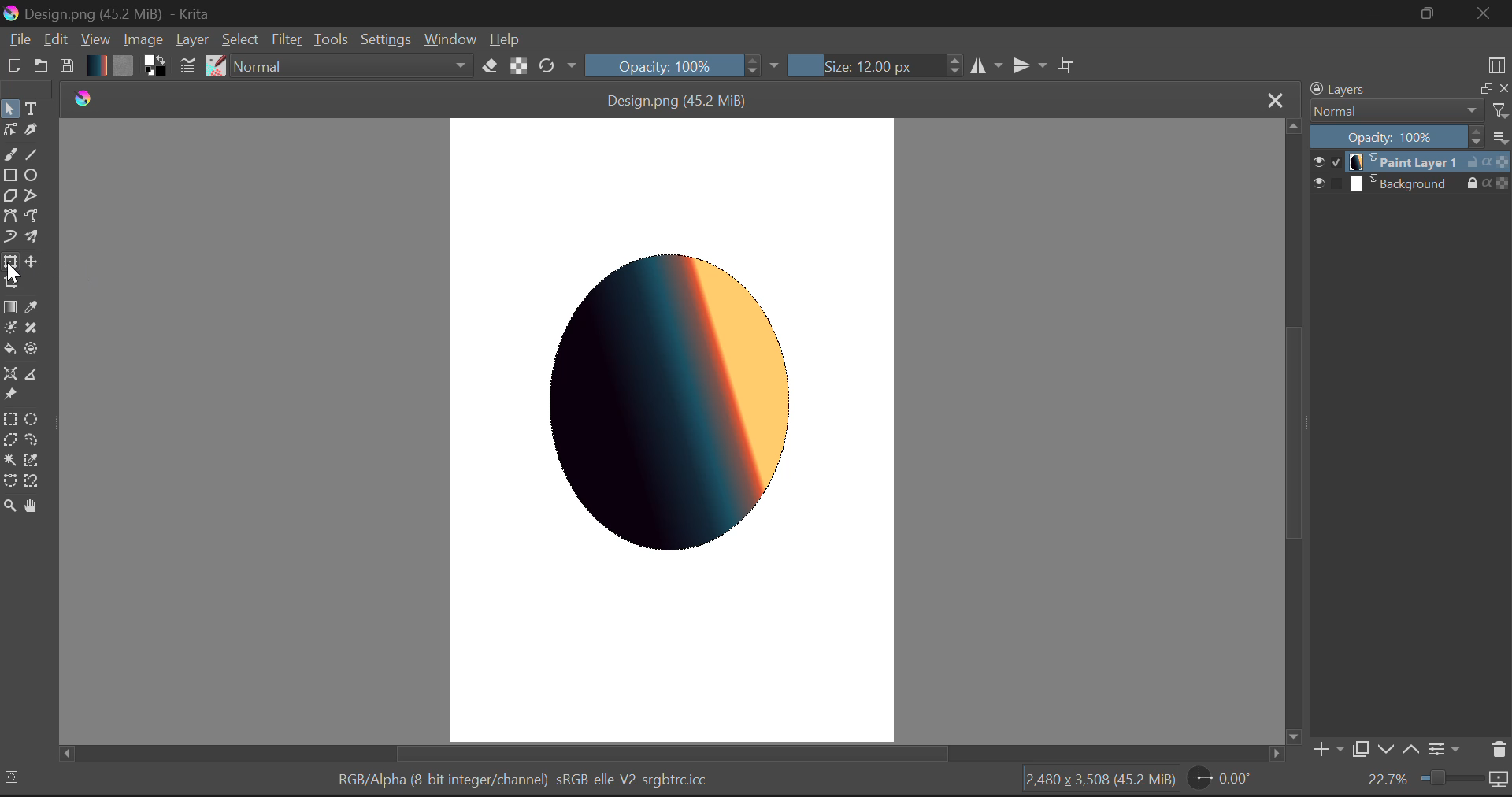 Image resolution: width=1512 pixels, height=797 pixels. Describe the element at coordinates (9, 264) in the screenshot. I see `Cursor Position` at that location.